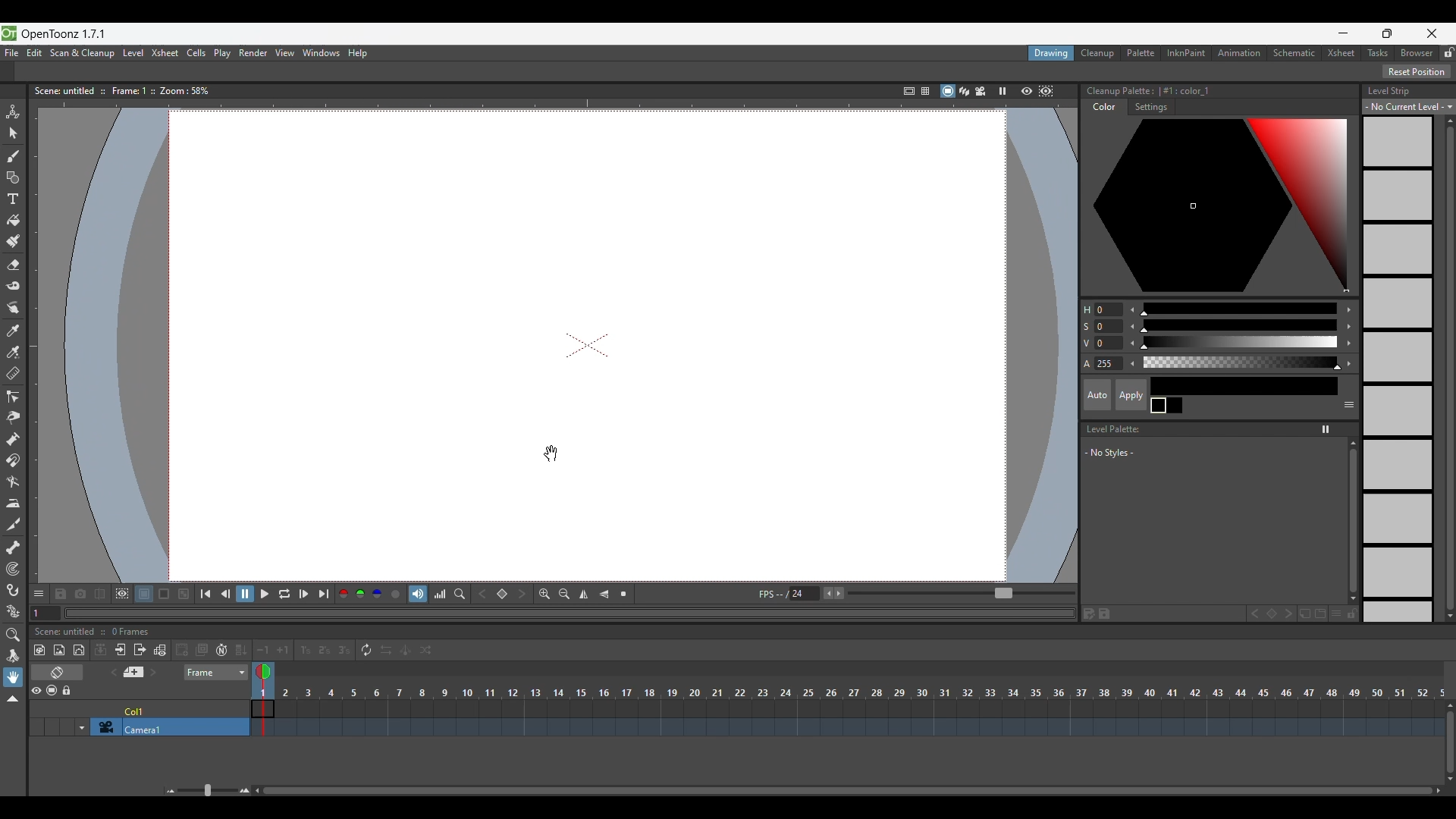 The image size is (1456, 819). Describe the element at coordinates (13, 307) in the screenshot. I see `Finger tool` at that location.